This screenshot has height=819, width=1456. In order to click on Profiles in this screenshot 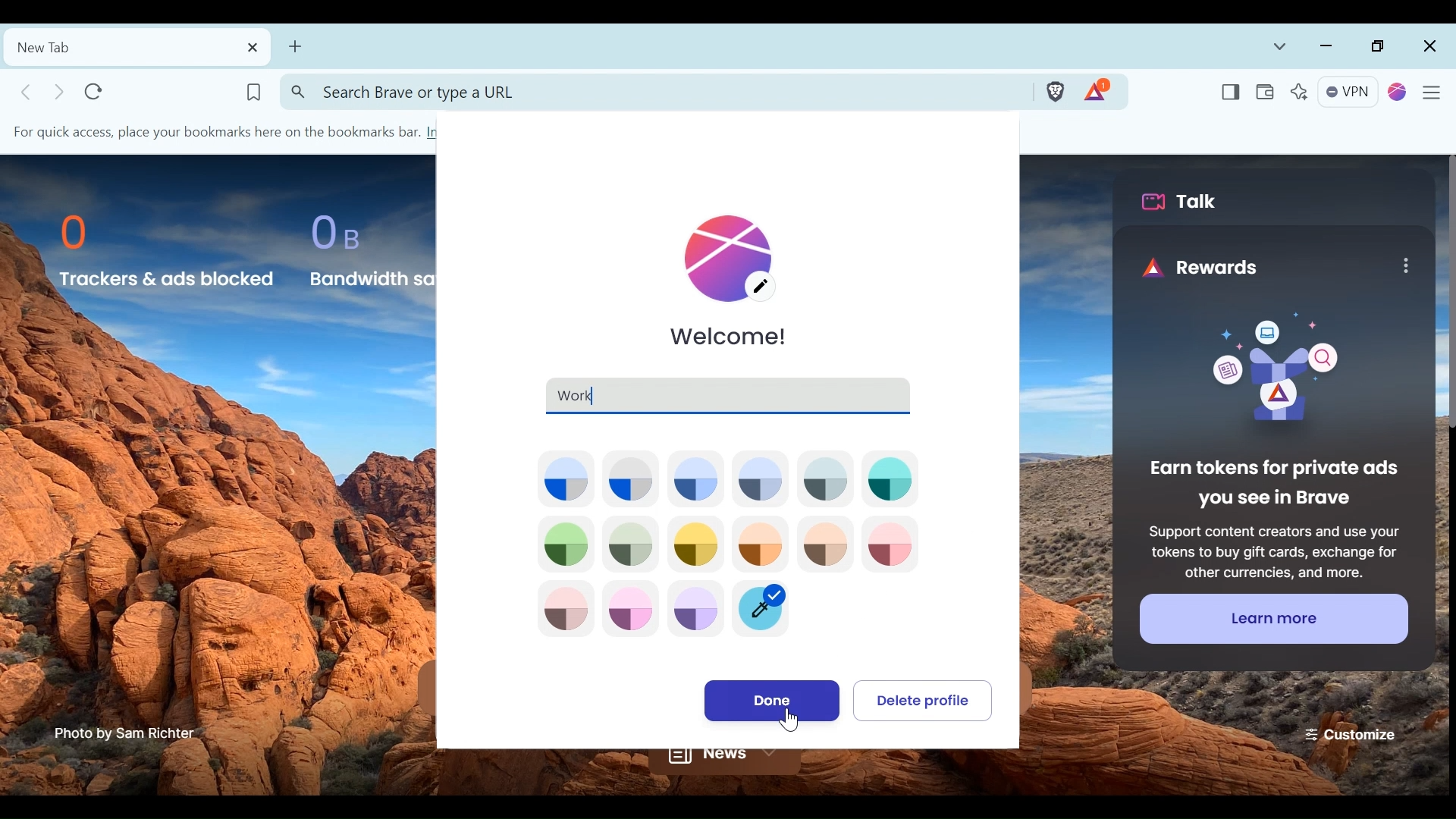, I will do `click(1398, 93)`.